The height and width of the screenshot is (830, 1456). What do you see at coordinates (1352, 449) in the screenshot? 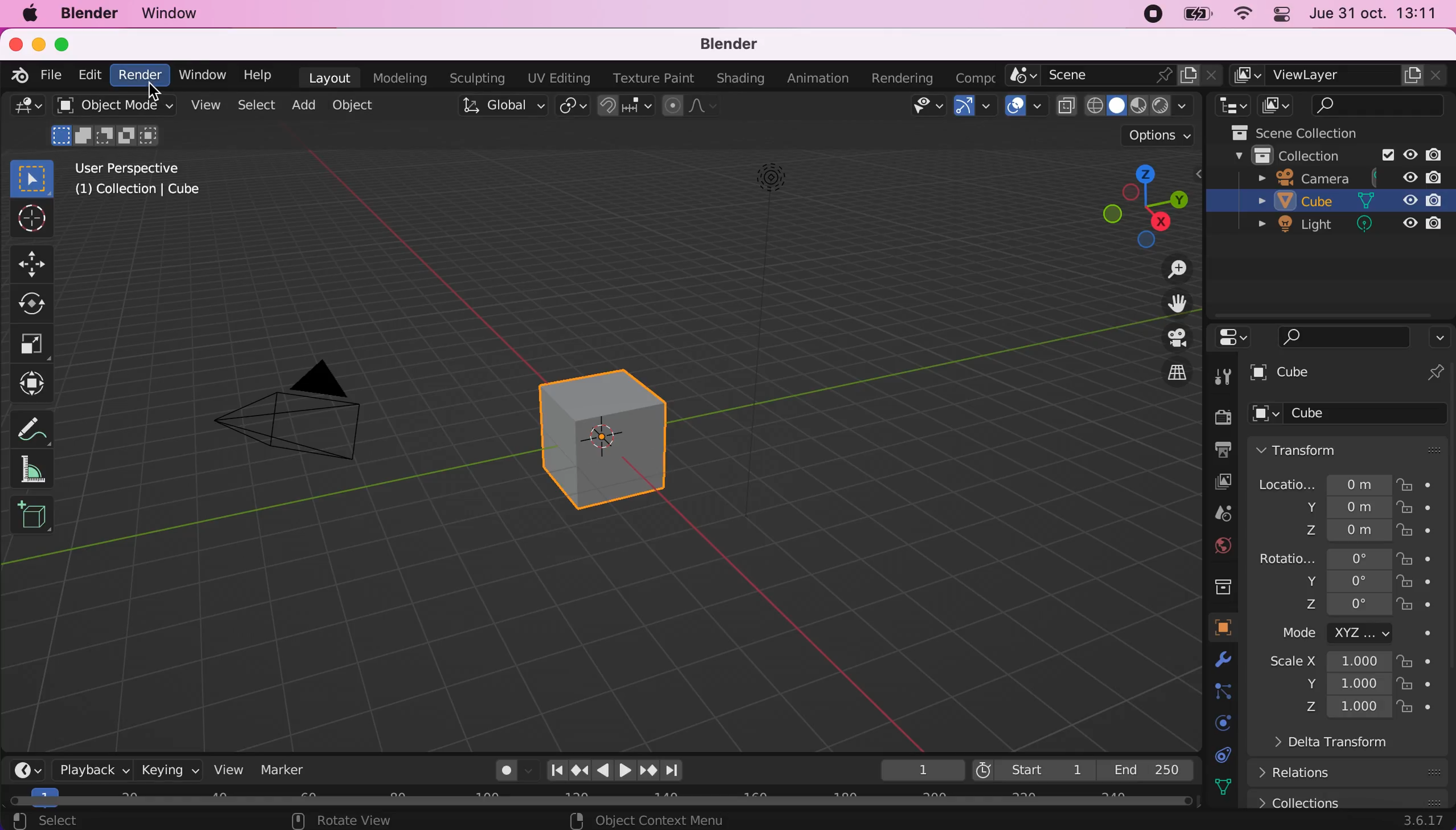
I see `transform ` at bounding box center [1352, 449].